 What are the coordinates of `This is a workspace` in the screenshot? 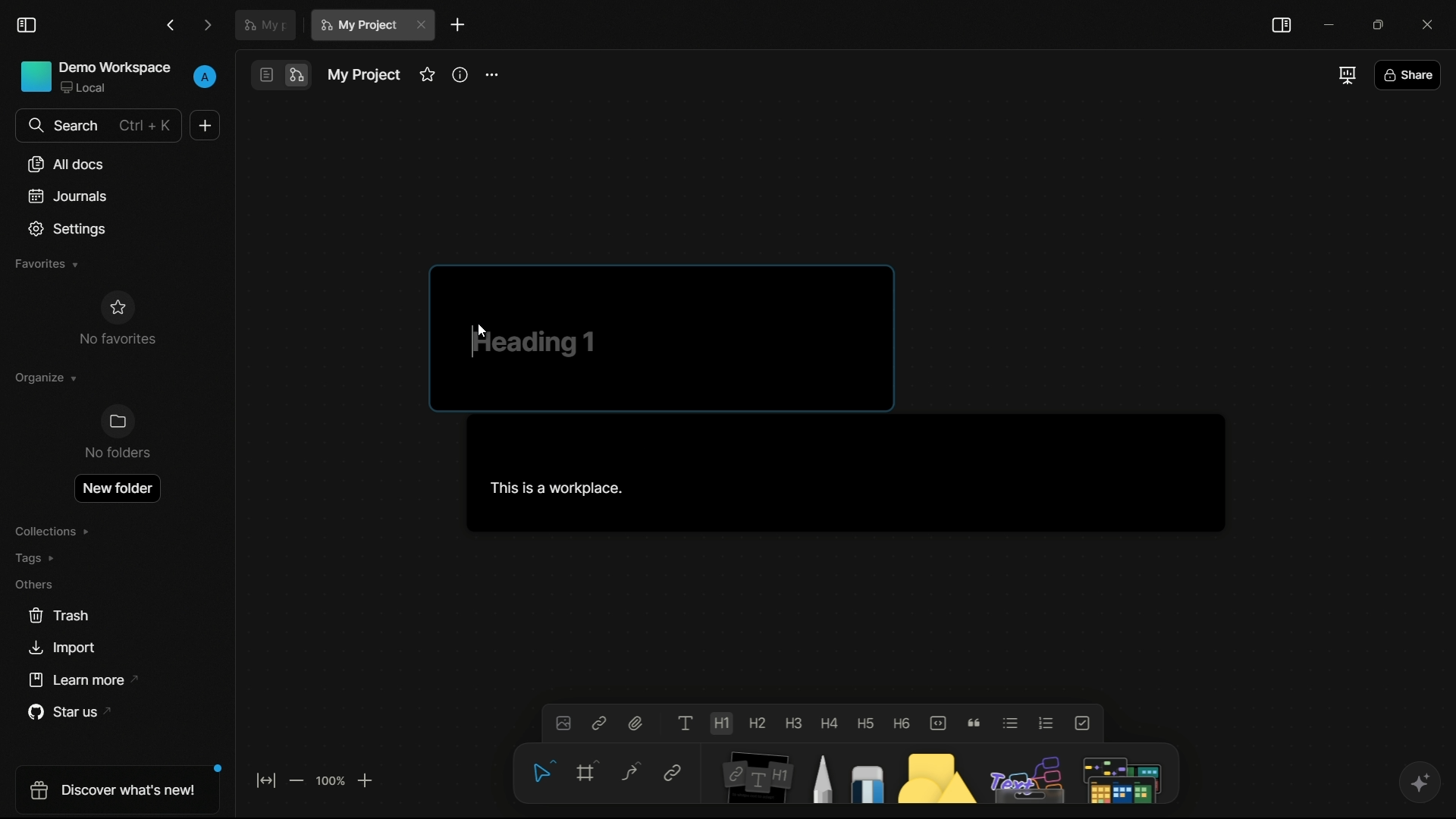 It's located at (841, 473).